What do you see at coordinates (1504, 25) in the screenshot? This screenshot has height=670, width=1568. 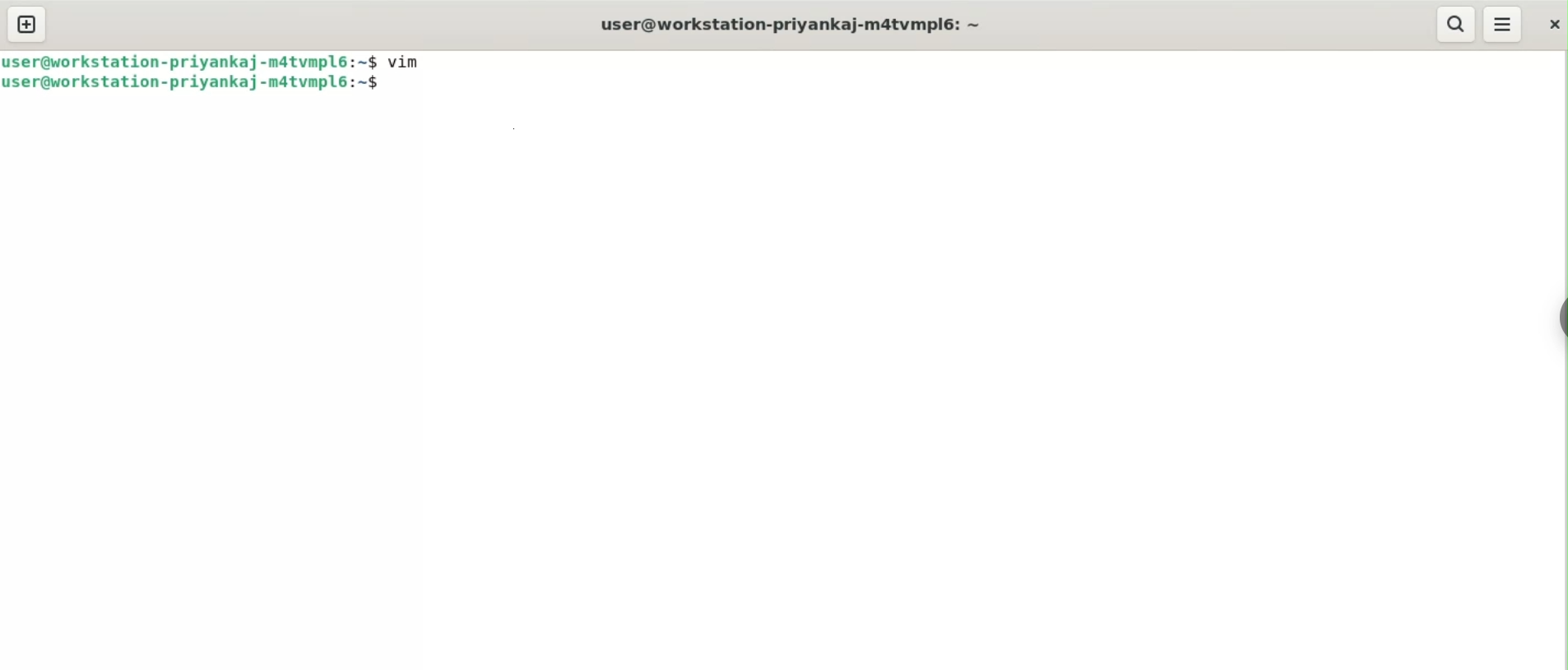 I see `menu` at bounding box center [1504, 25].